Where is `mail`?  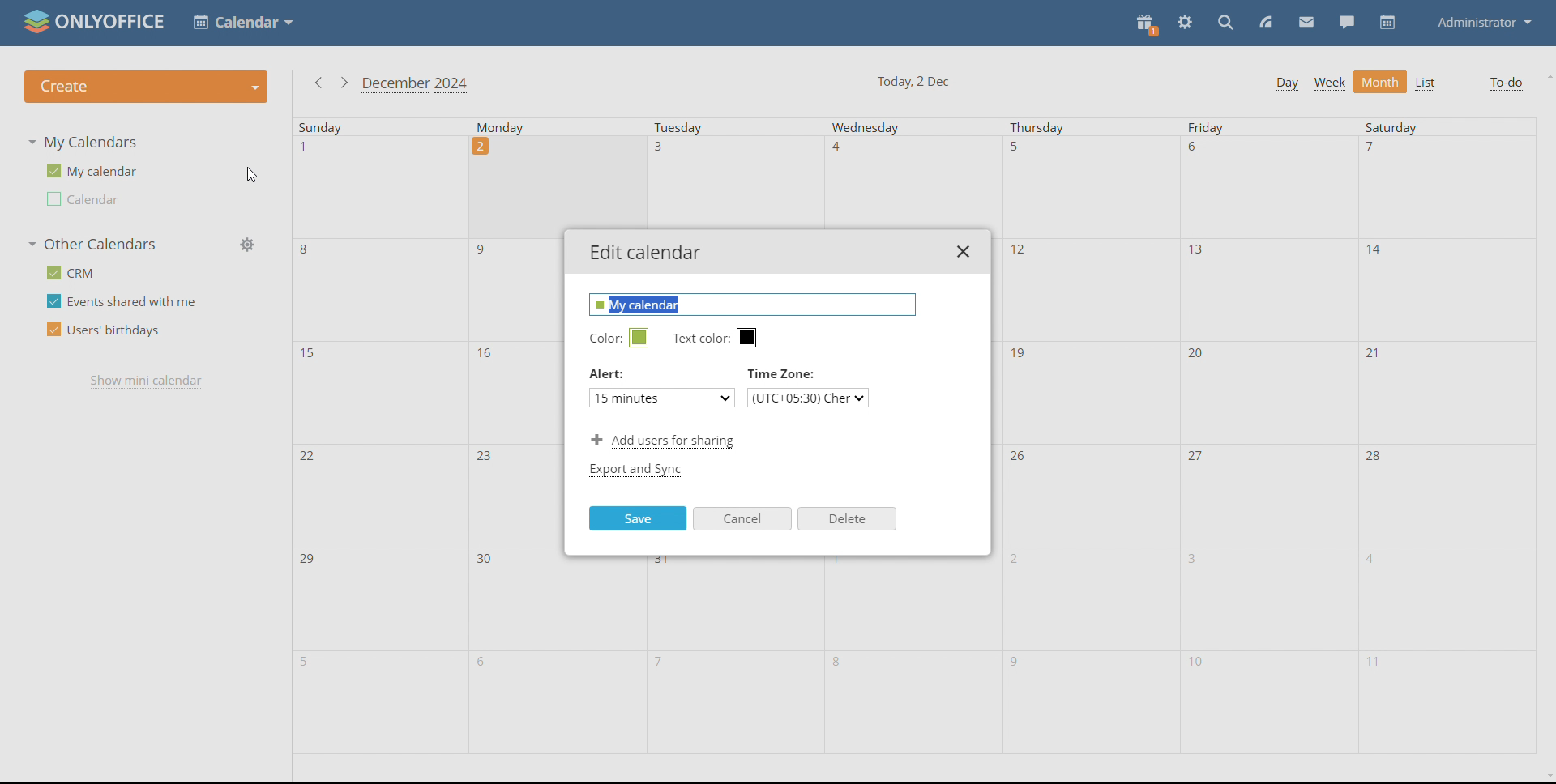 mail is located at coordinates (1306, 24).